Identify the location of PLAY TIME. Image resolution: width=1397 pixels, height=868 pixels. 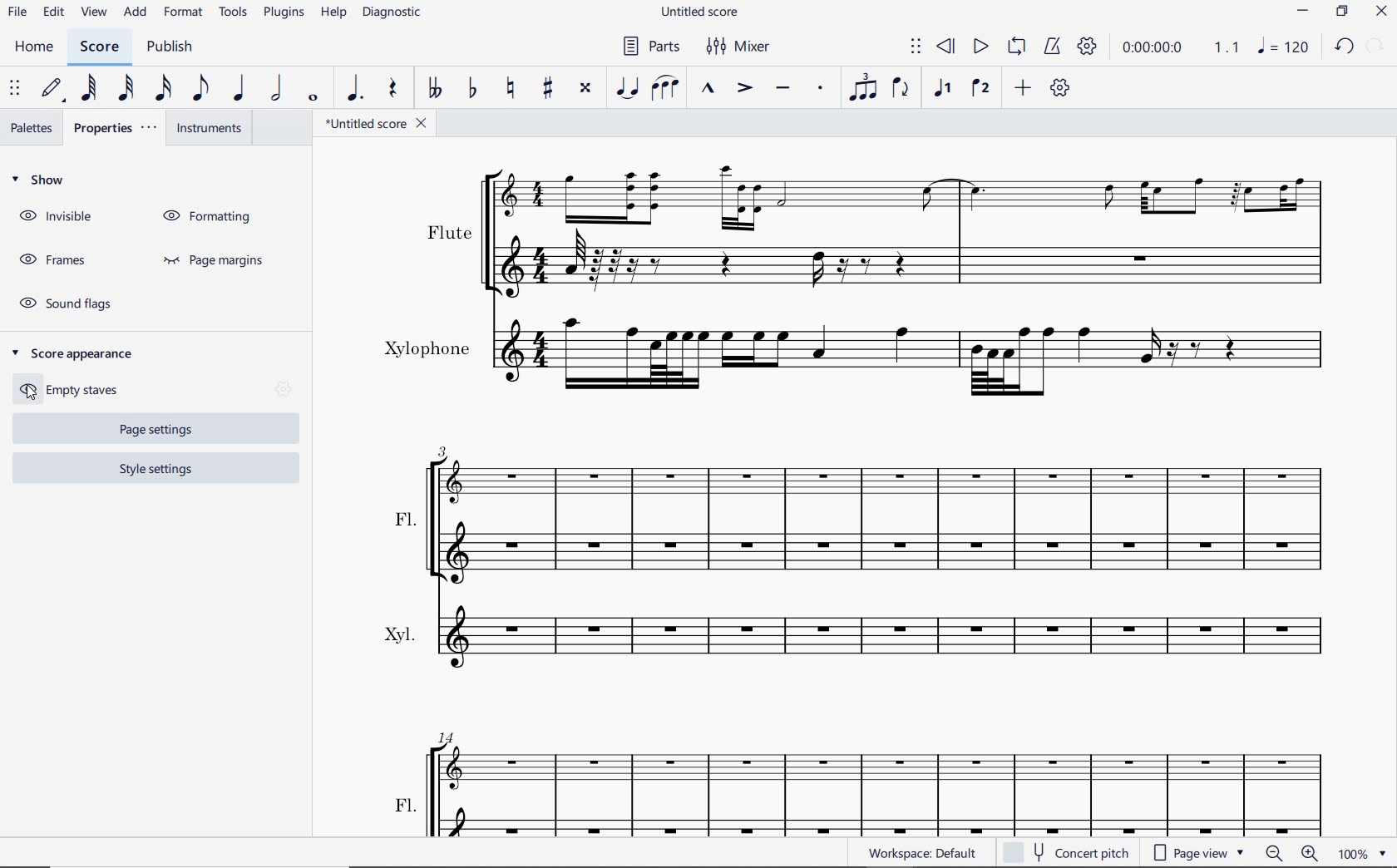
(1136, 49).